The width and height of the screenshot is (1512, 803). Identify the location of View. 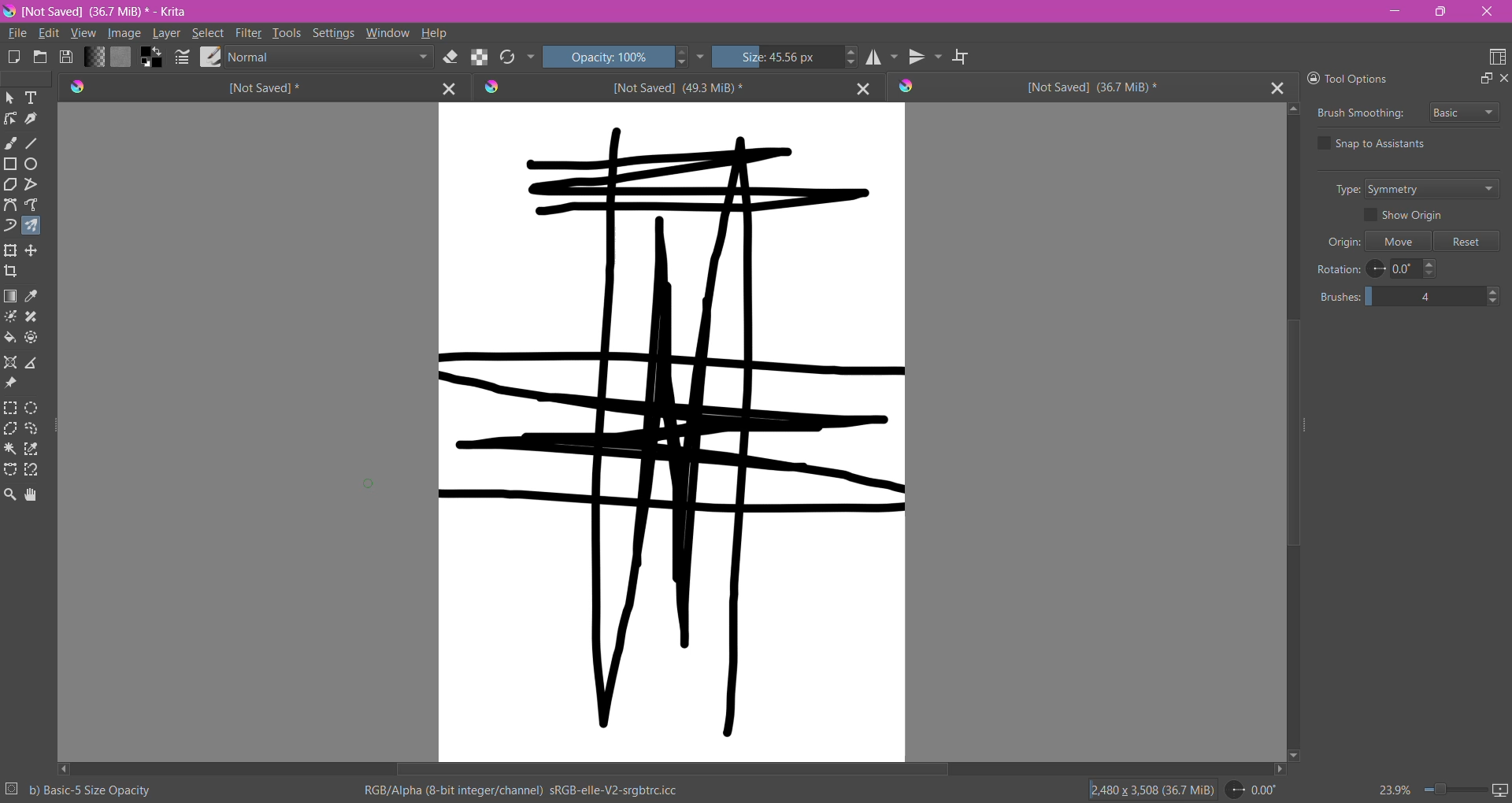
(82, 35).